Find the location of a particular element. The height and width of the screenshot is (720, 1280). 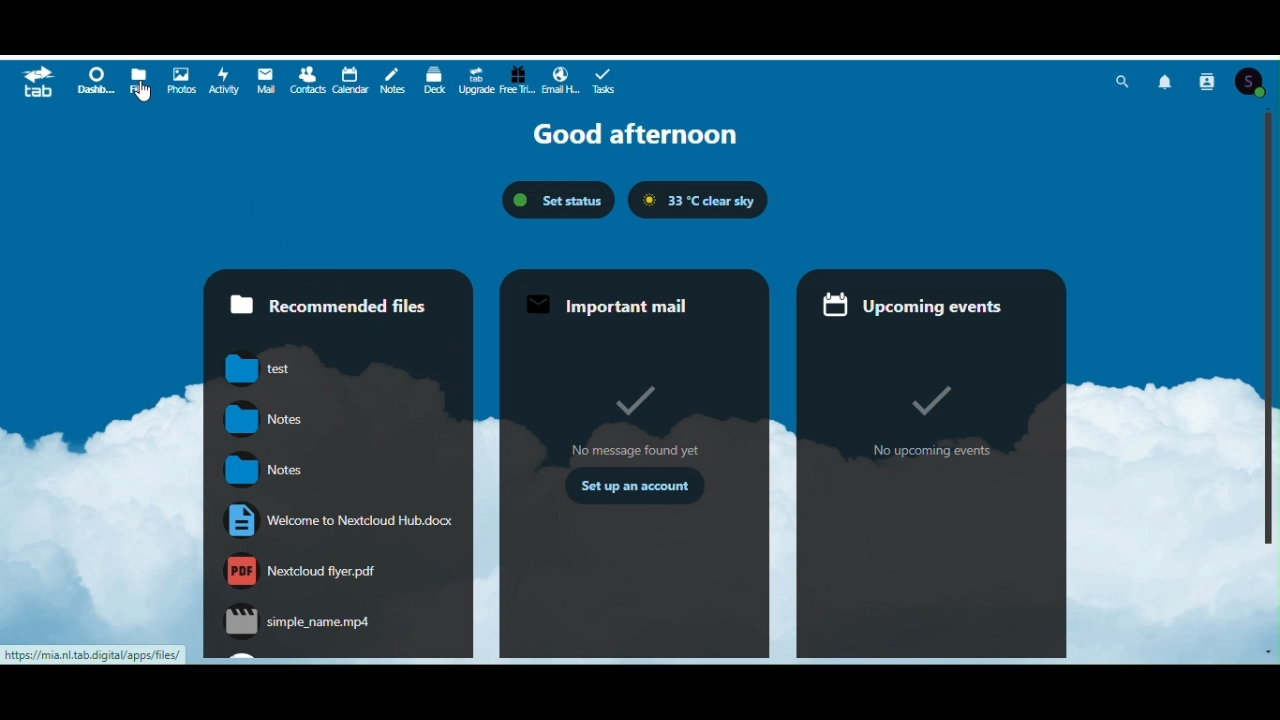

Email hosting is located at coordinates (561, 78).